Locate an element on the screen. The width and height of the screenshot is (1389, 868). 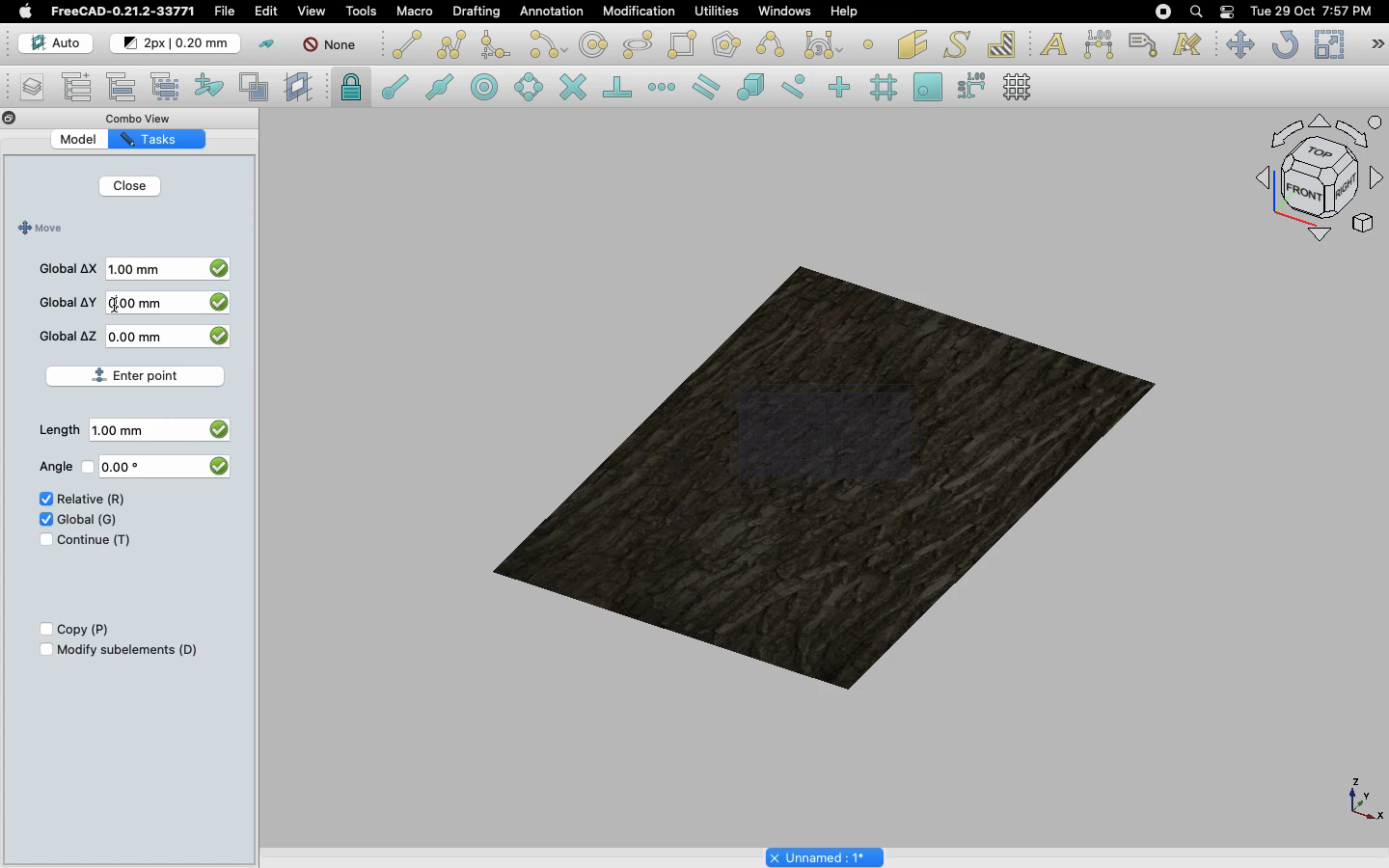
Facebinder is located at coordinates (912, 46).